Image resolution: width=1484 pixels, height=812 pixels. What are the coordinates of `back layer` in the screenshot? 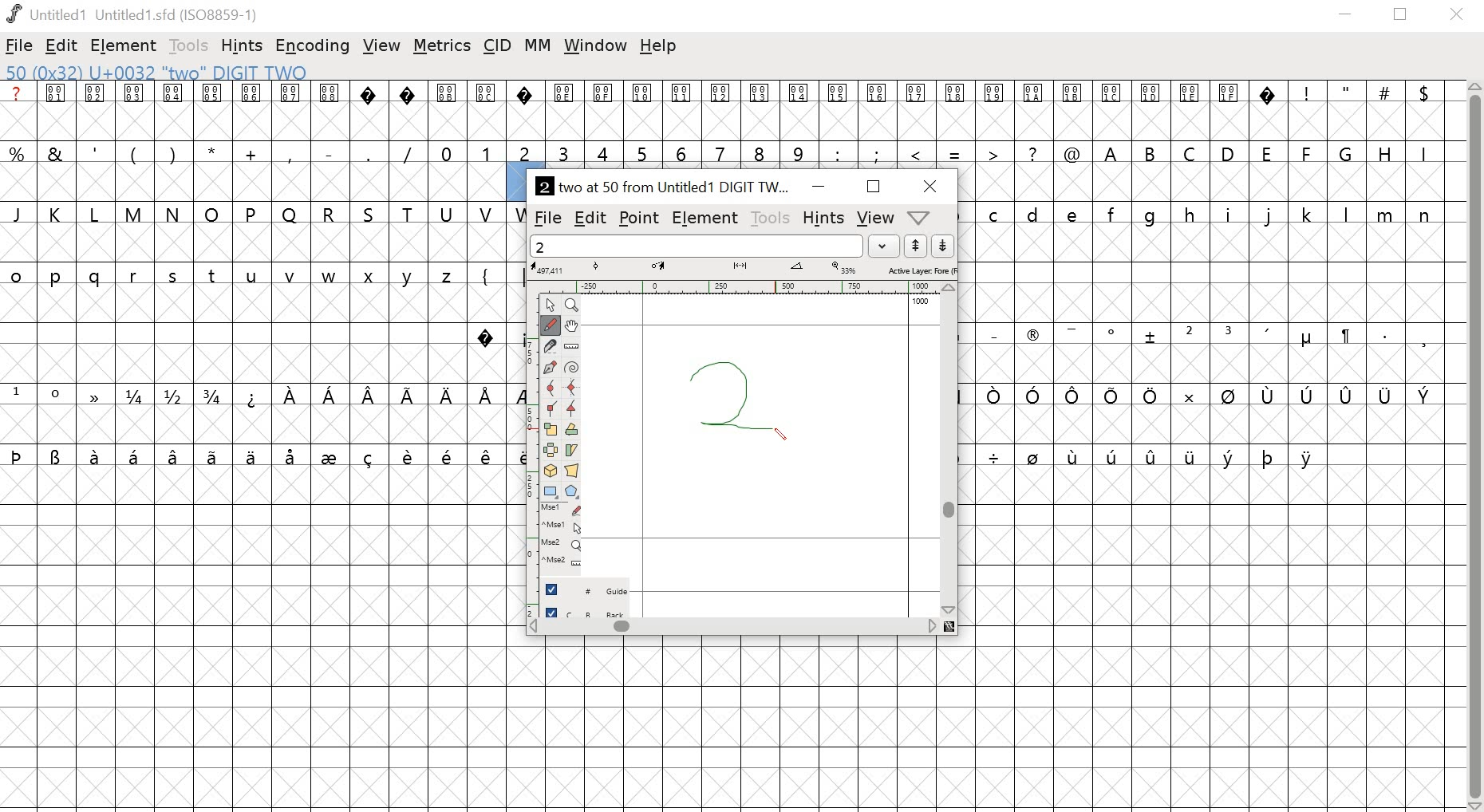 It's located at (590, 609).